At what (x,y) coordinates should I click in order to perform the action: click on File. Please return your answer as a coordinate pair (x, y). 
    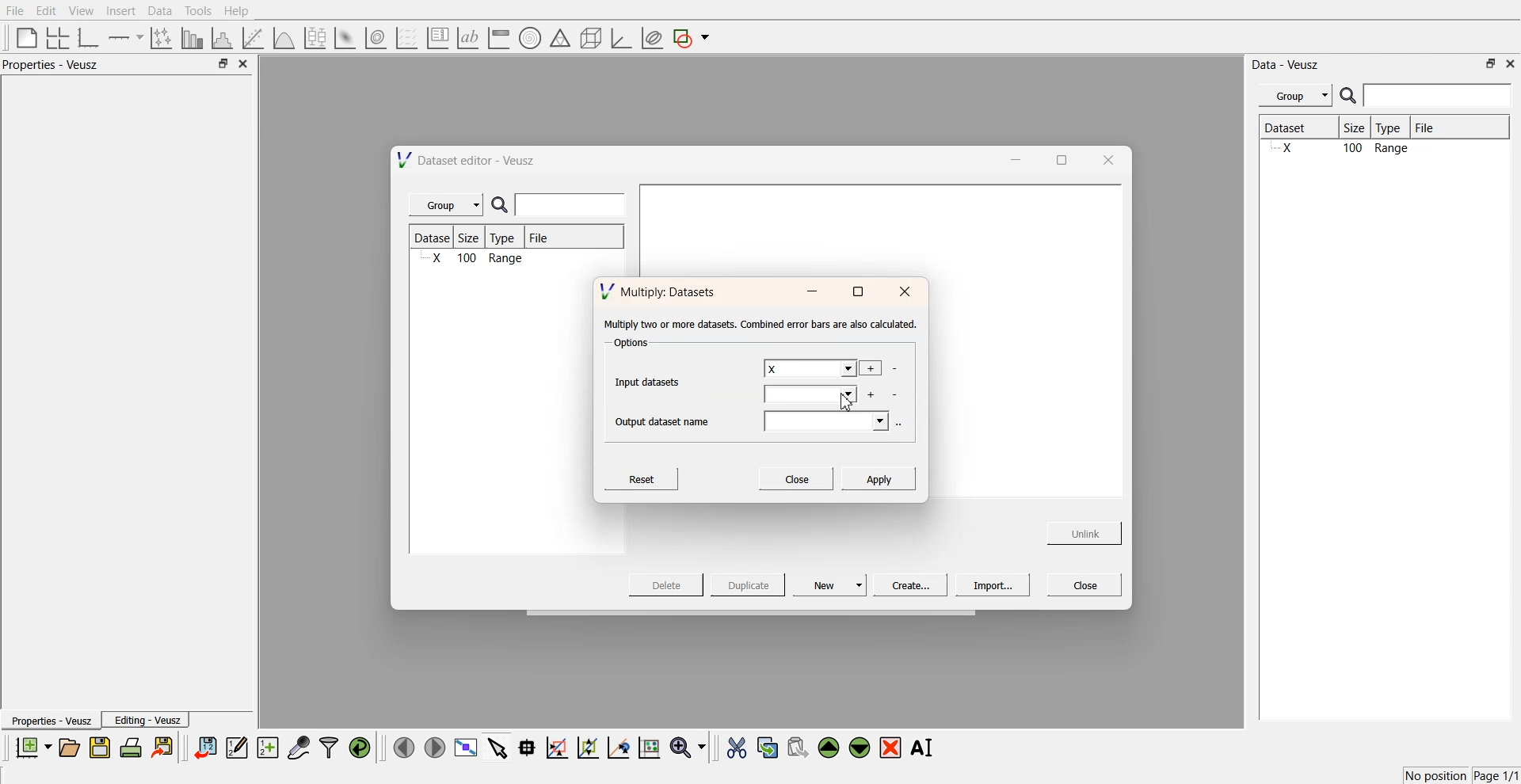
    Looking at the image, I should click on (16, 11).